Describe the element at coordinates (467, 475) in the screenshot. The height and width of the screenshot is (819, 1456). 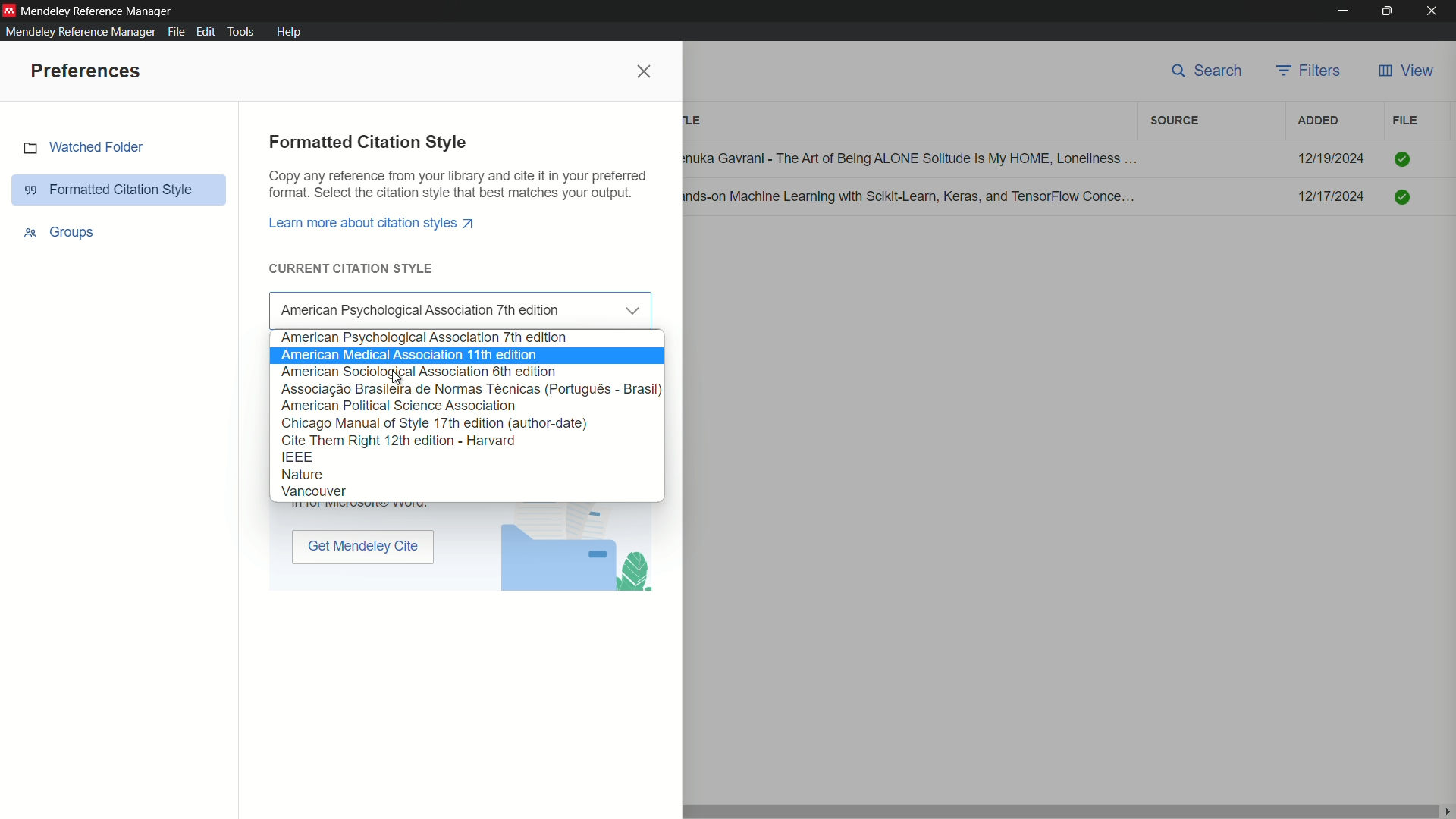
I see `Nature` at that location.